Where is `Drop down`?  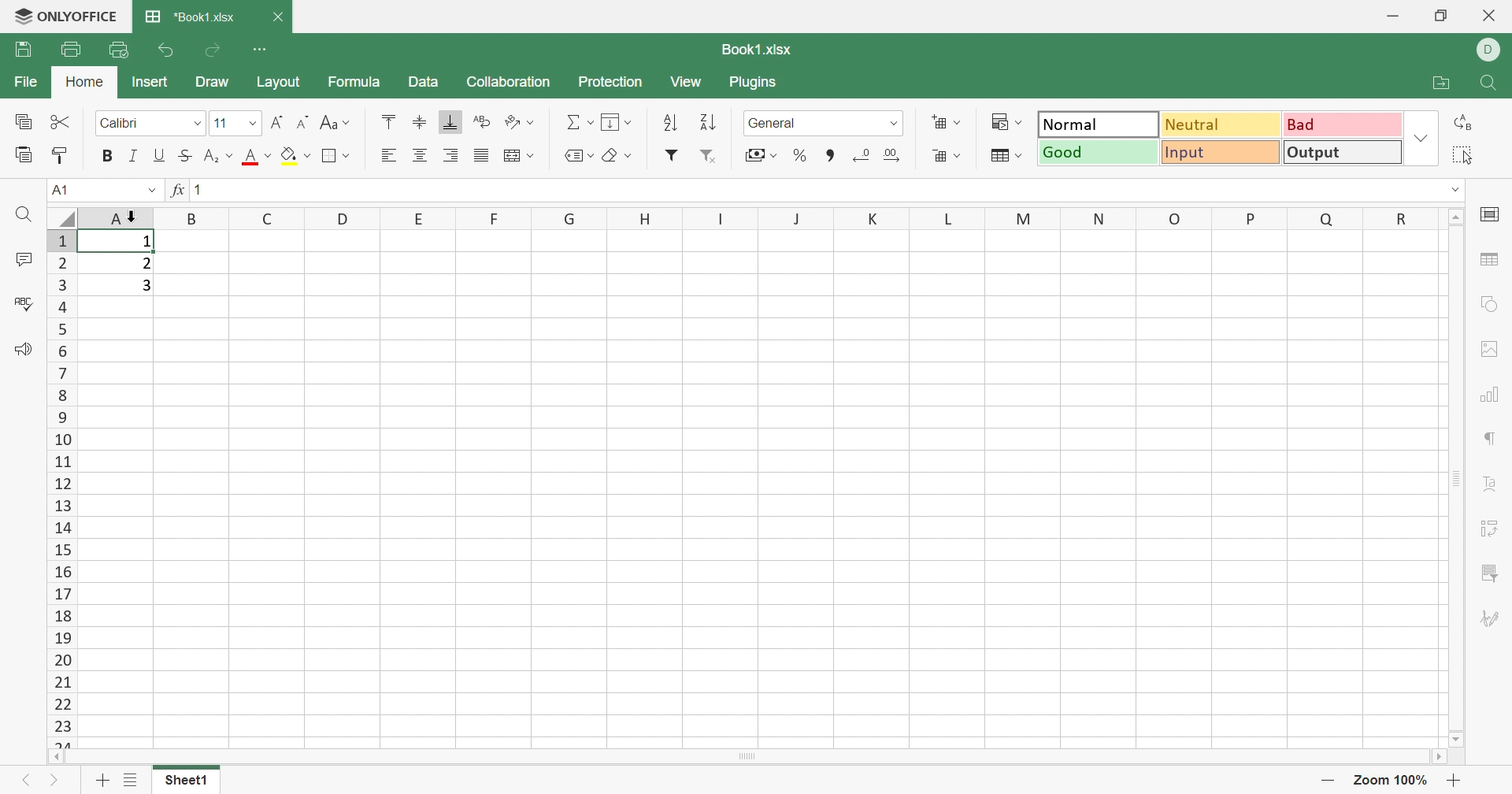
Drop down is located at coordinates (150, 191).